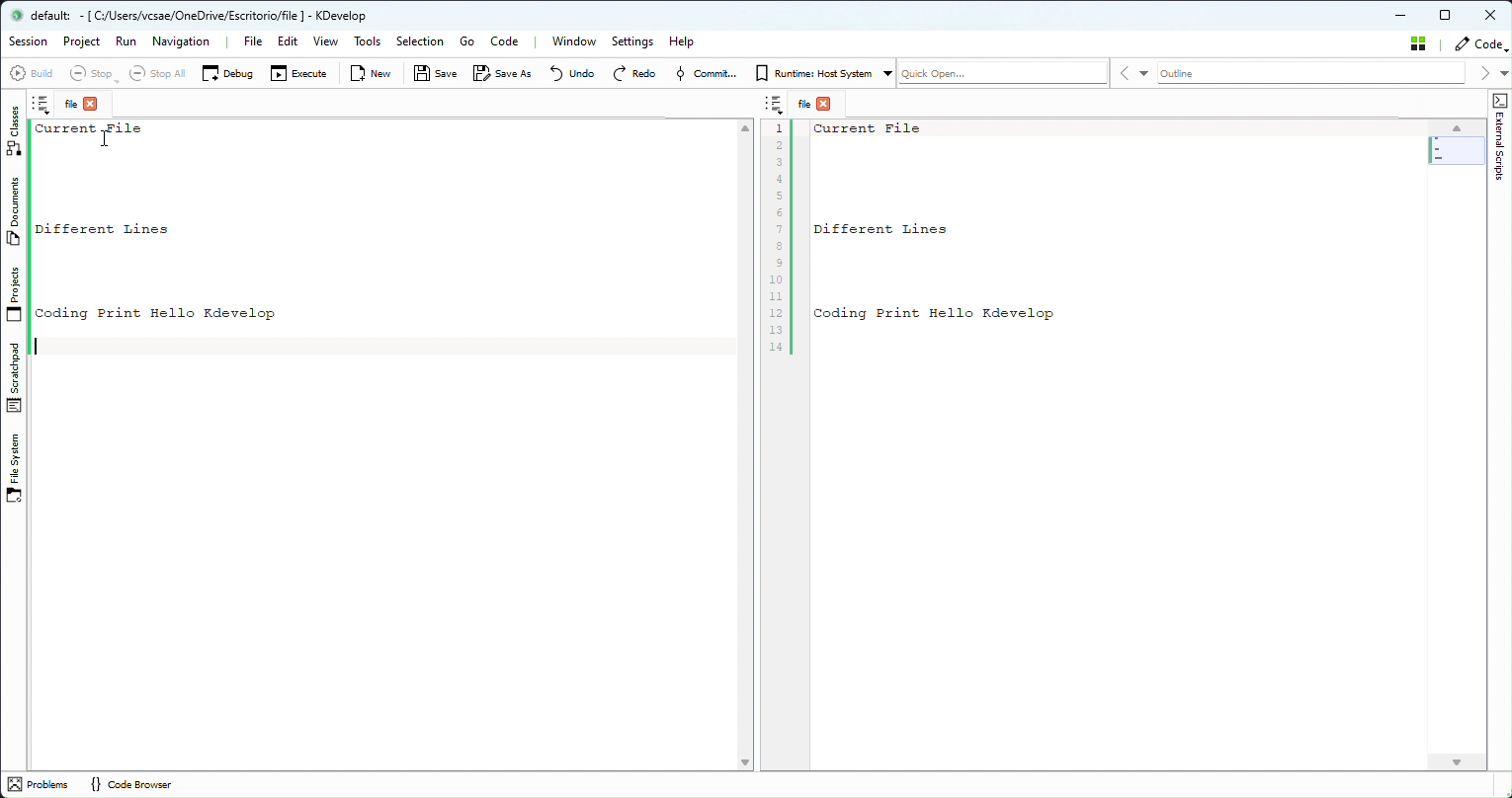 This screenshot has height=798, width=1512. I want to click on Cursor, so click(104, 137).